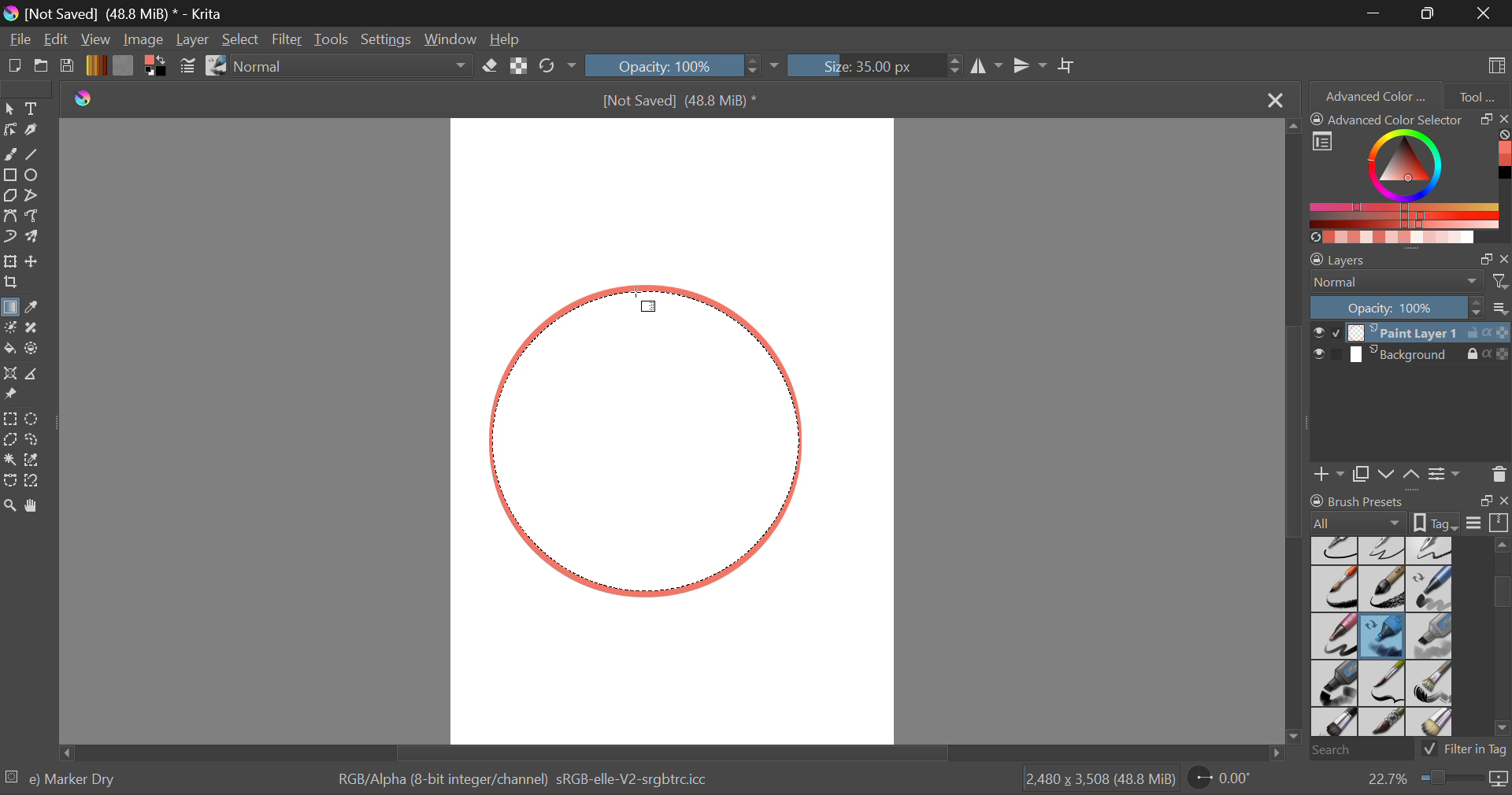 The image size is (1512, 795). What do you see at coordinates (1466, 748) in the screenshot?
I see `Filter in Tag` at bounding box center [1466, 748].